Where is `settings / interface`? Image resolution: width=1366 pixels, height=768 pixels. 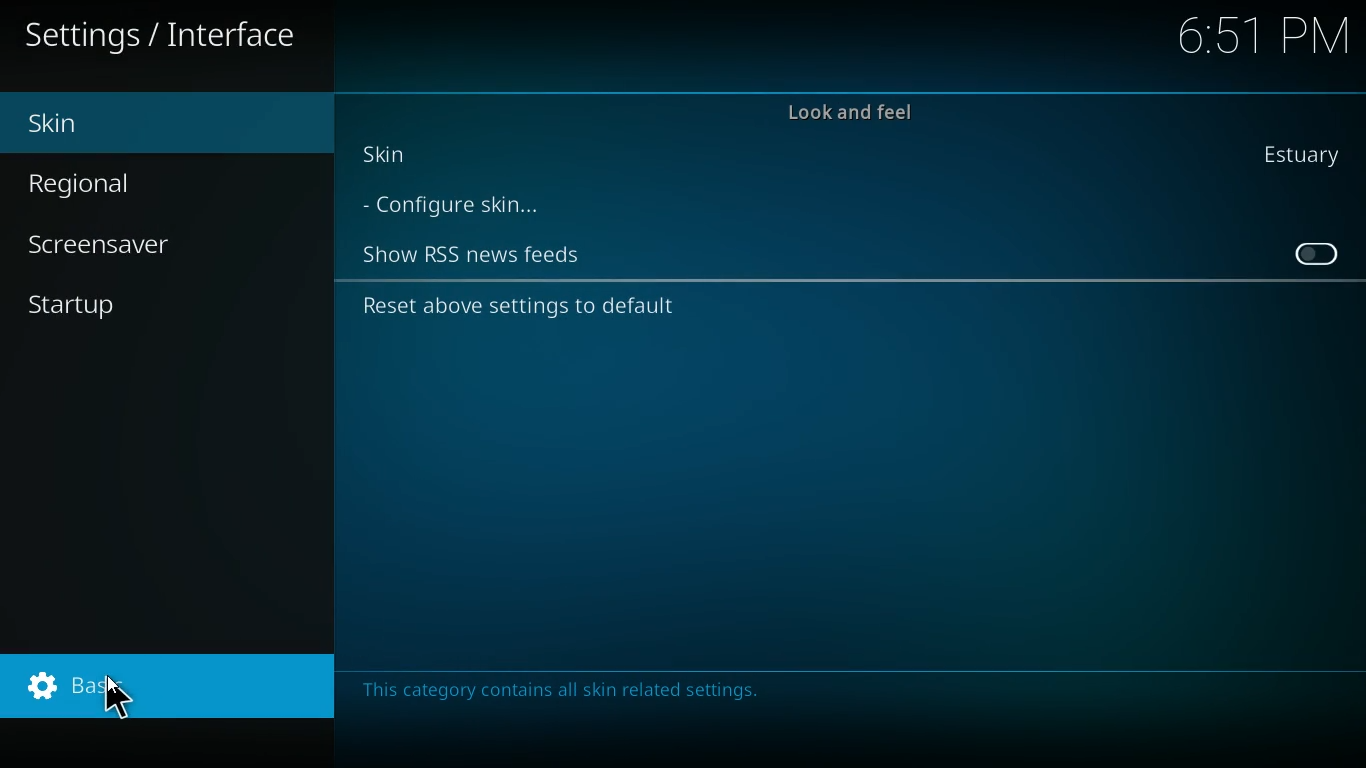
settings / interface is located at coordinates (170, 35).